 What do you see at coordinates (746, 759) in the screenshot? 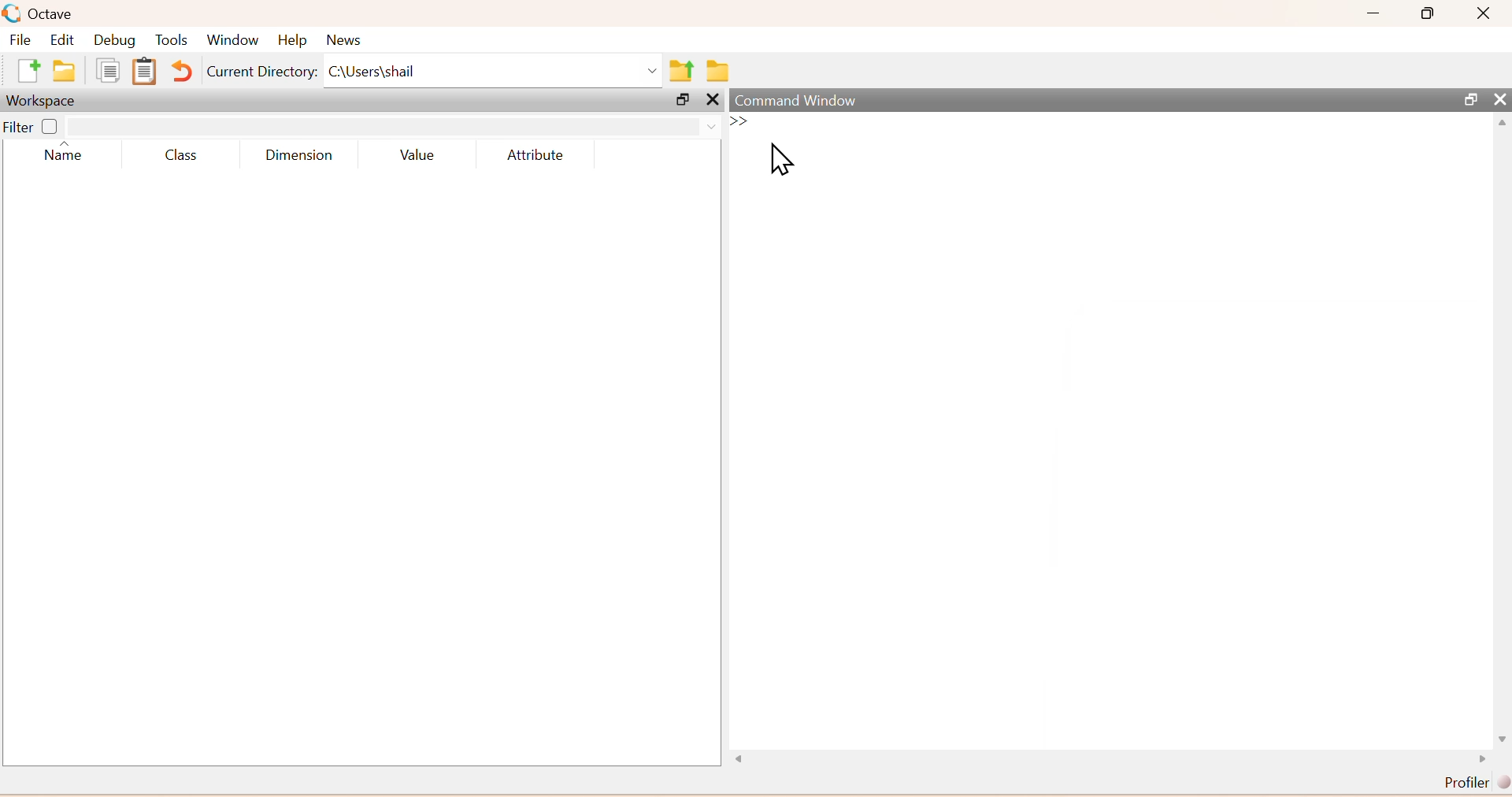
I see `` at bounding box center [746, 759].